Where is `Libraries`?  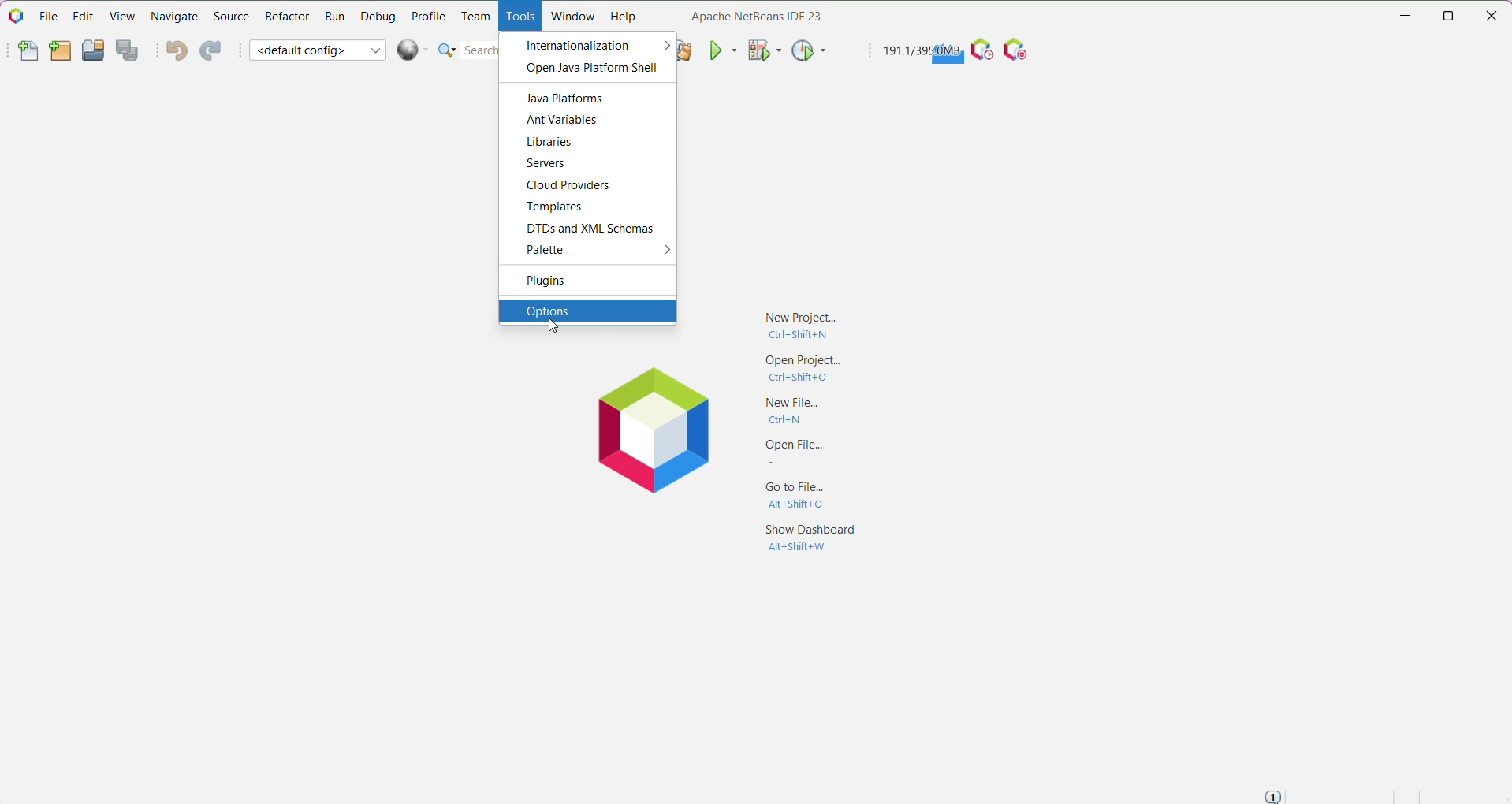
Libraries is located at coordinates (553, 143).